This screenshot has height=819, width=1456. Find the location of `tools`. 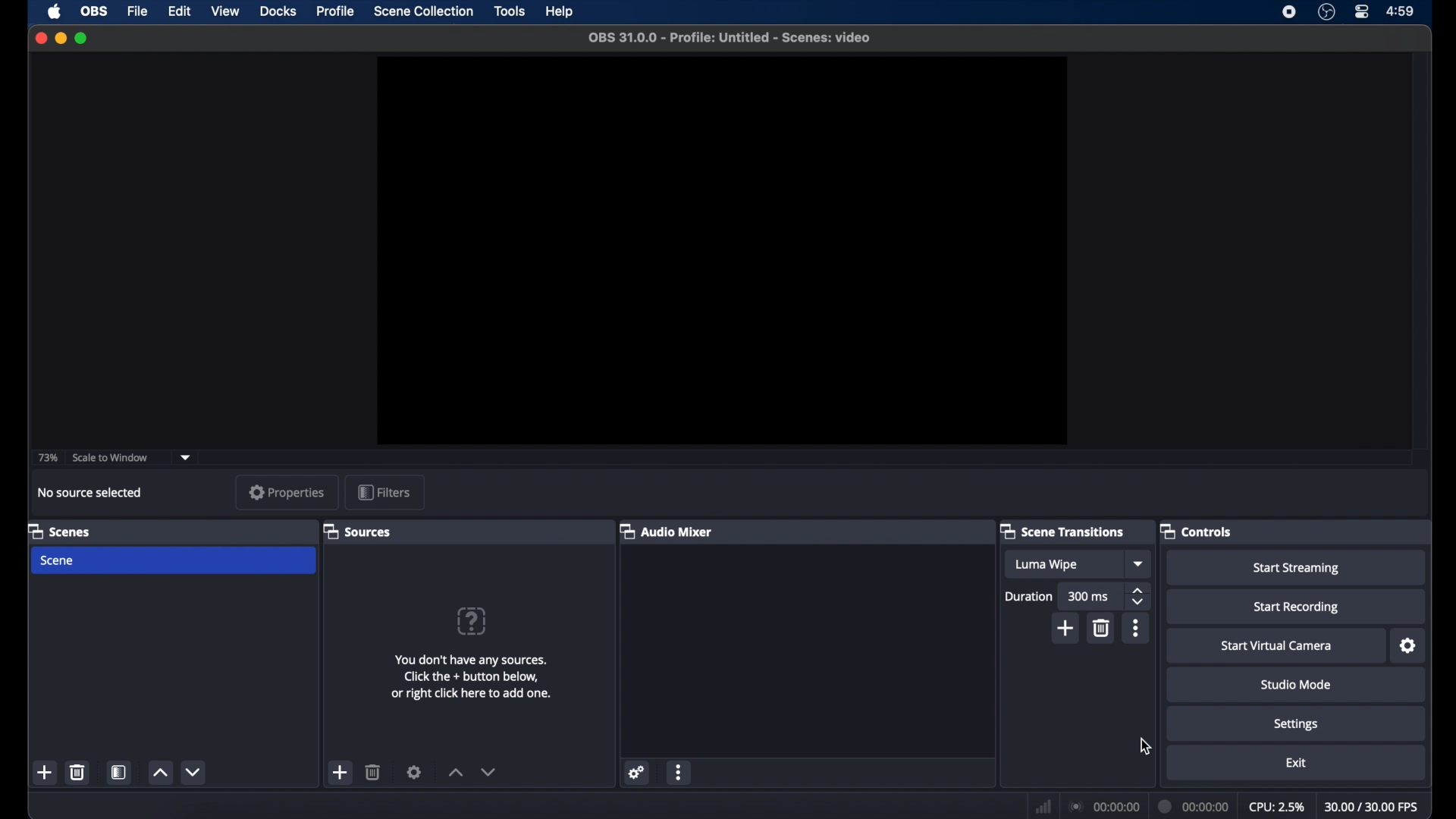

tools is located at coordinates (510, 11).